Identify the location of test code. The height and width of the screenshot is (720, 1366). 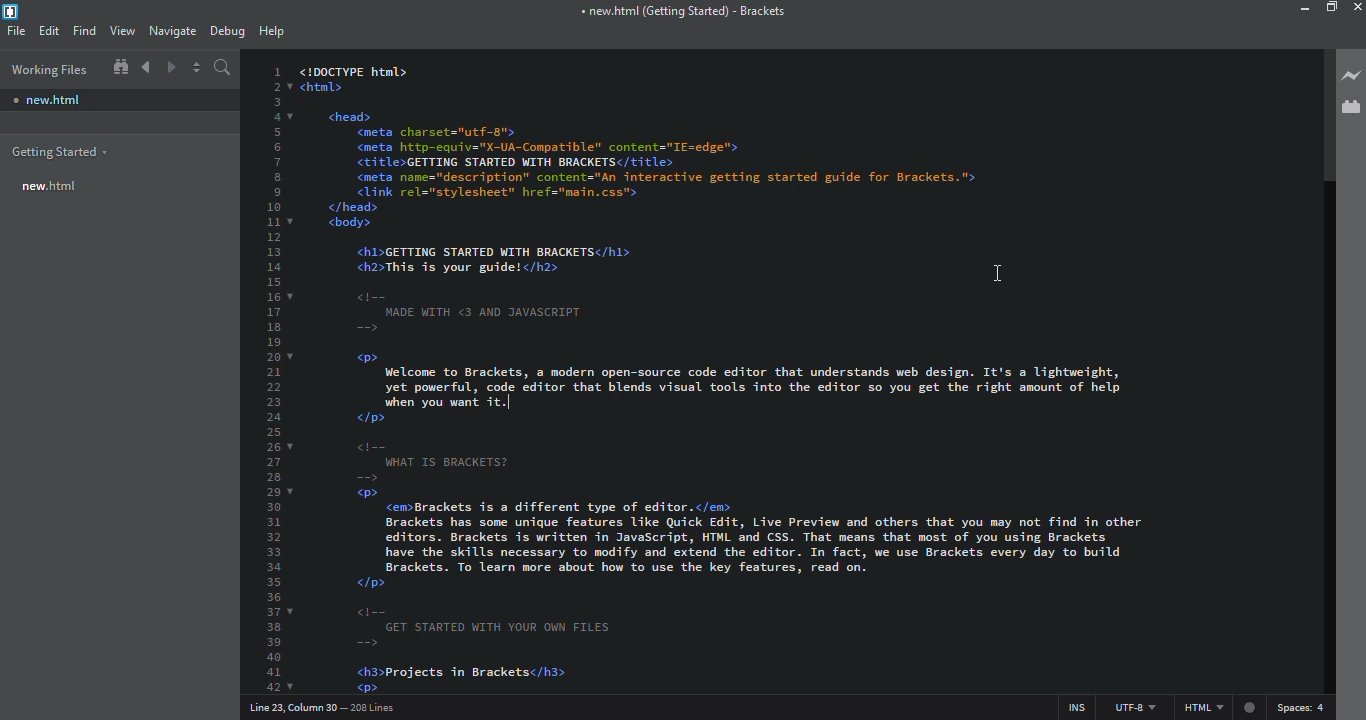
(492, 296).